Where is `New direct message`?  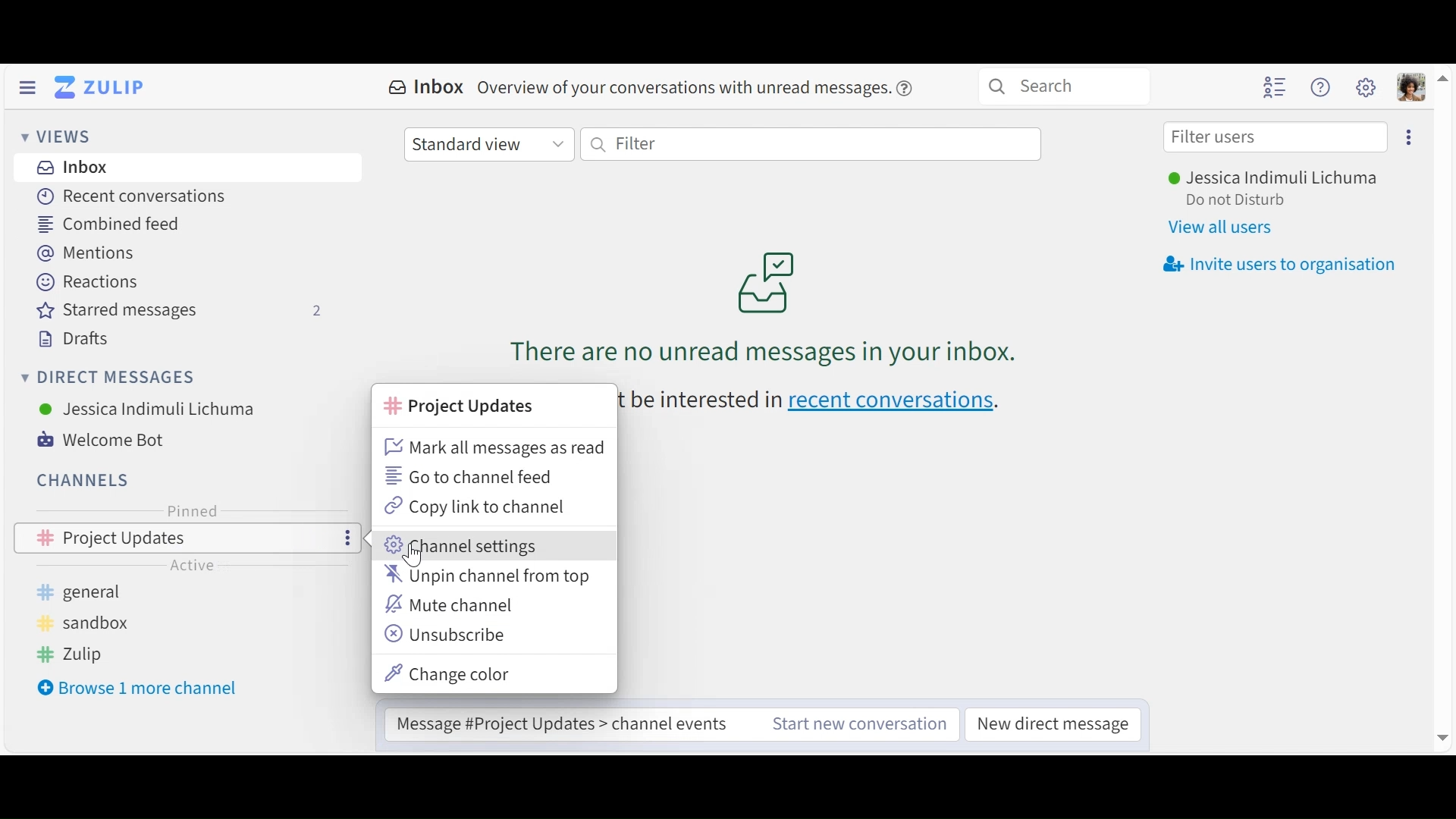
New direct message is located at coordinates (1052, 726).